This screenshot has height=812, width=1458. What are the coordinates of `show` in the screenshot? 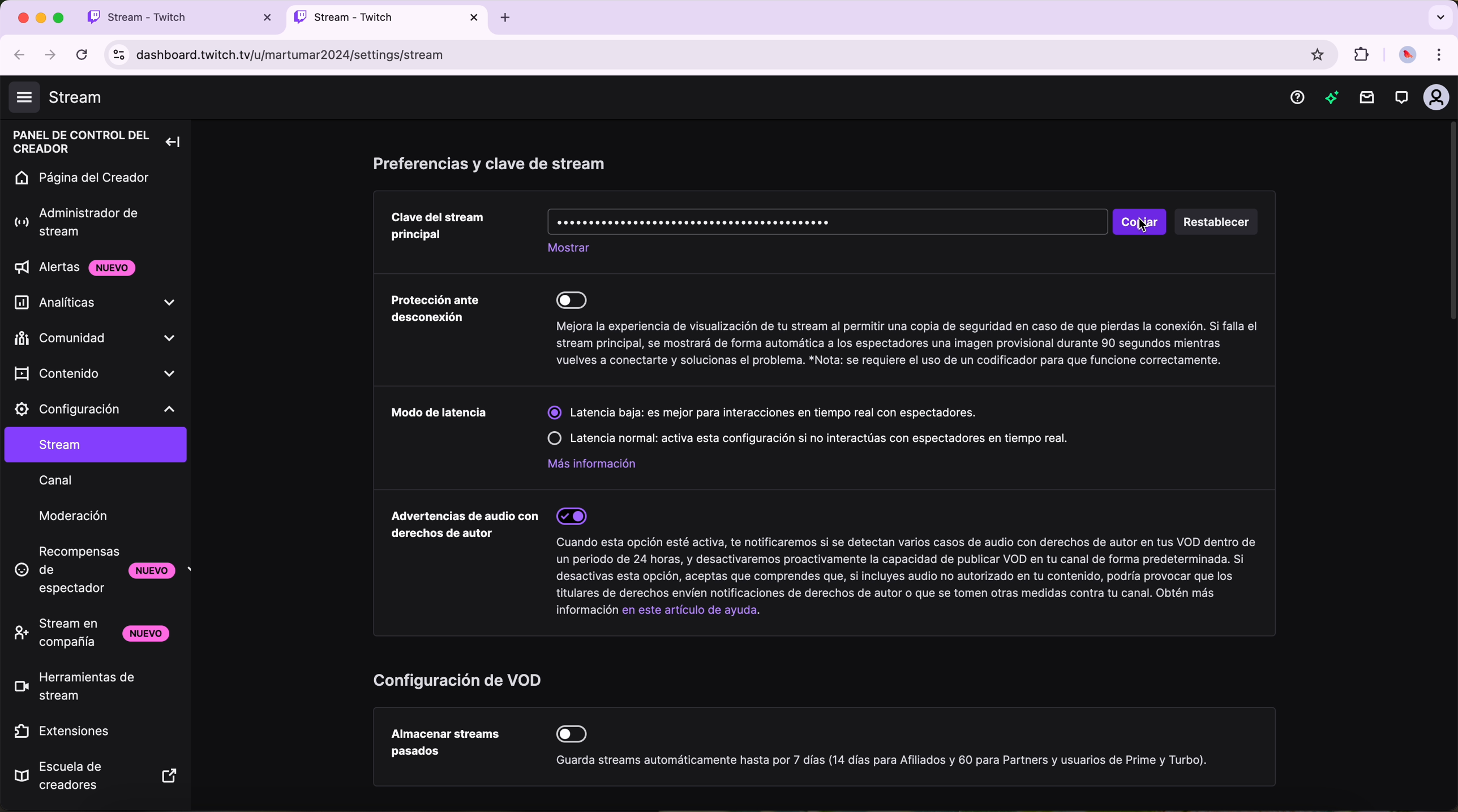 It's located at (571, 250).